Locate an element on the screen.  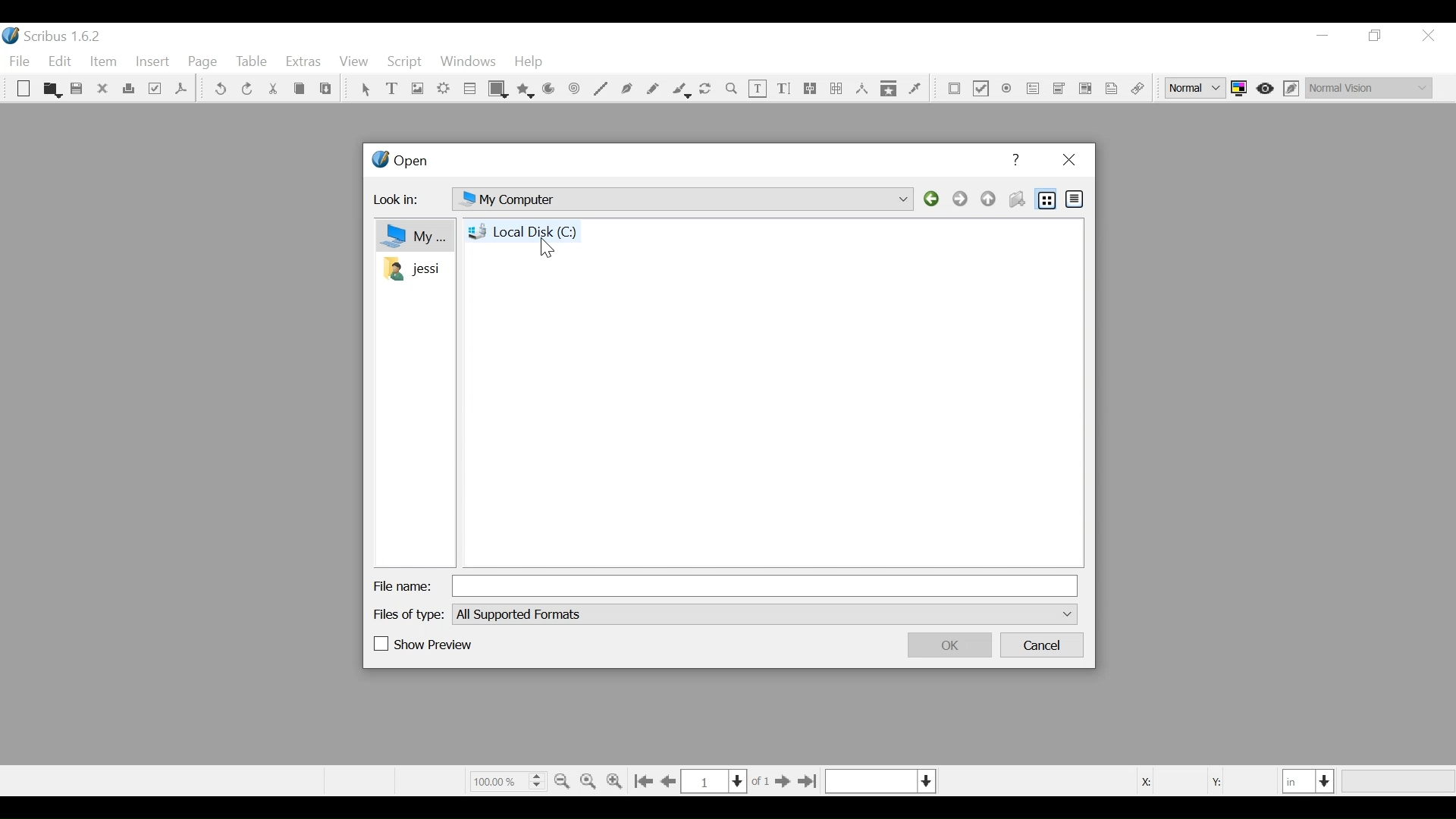
(un)check Show Preview is located at coordinates (424, 645).